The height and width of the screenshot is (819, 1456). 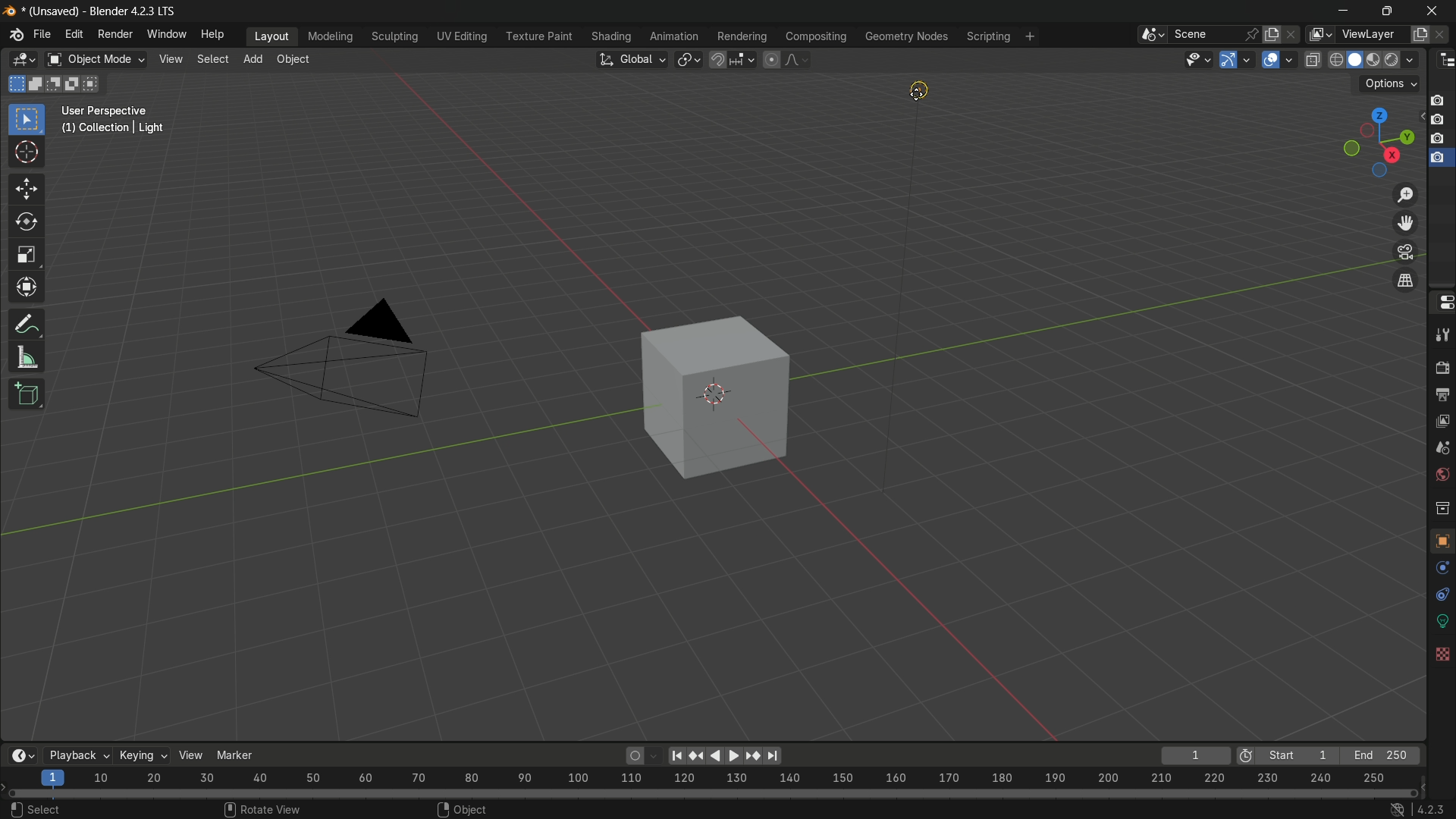 What do you see at coordinates (462, 806) in the screenshot?
I see `object` at bounding box center [462, 806].